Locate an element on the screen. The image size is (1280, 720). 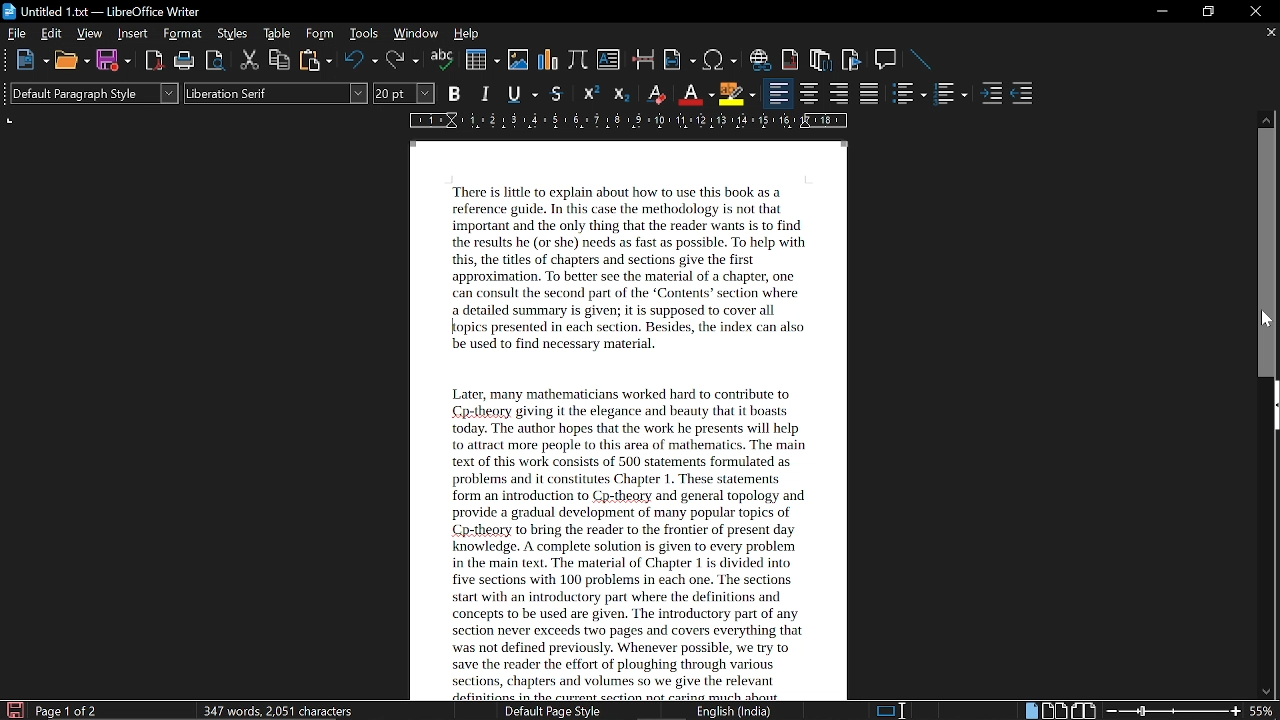
export as pdf is located at coordinates (150, 62).